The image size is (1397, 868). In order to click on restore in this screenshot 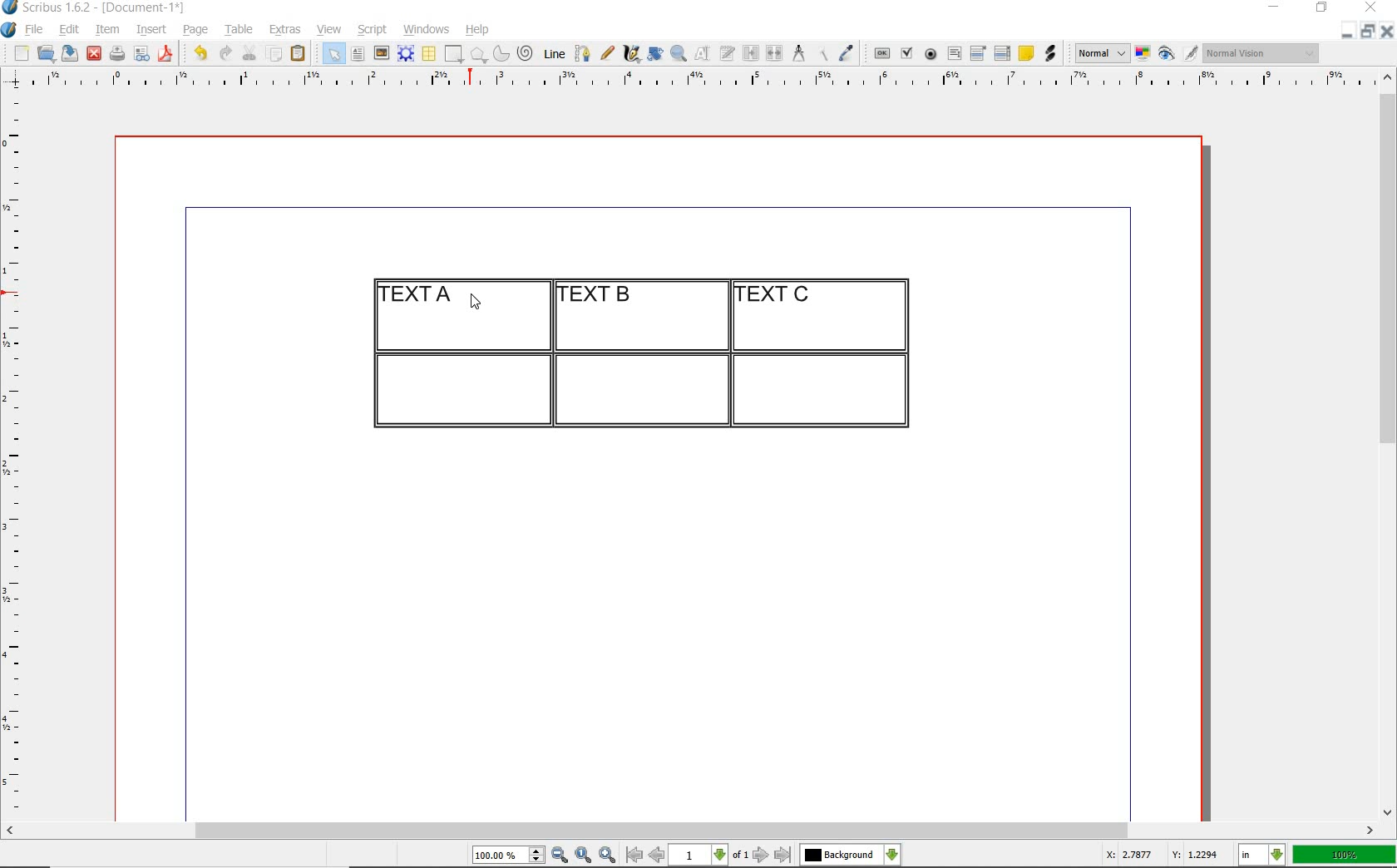, I will do `click(1322, 8)`.